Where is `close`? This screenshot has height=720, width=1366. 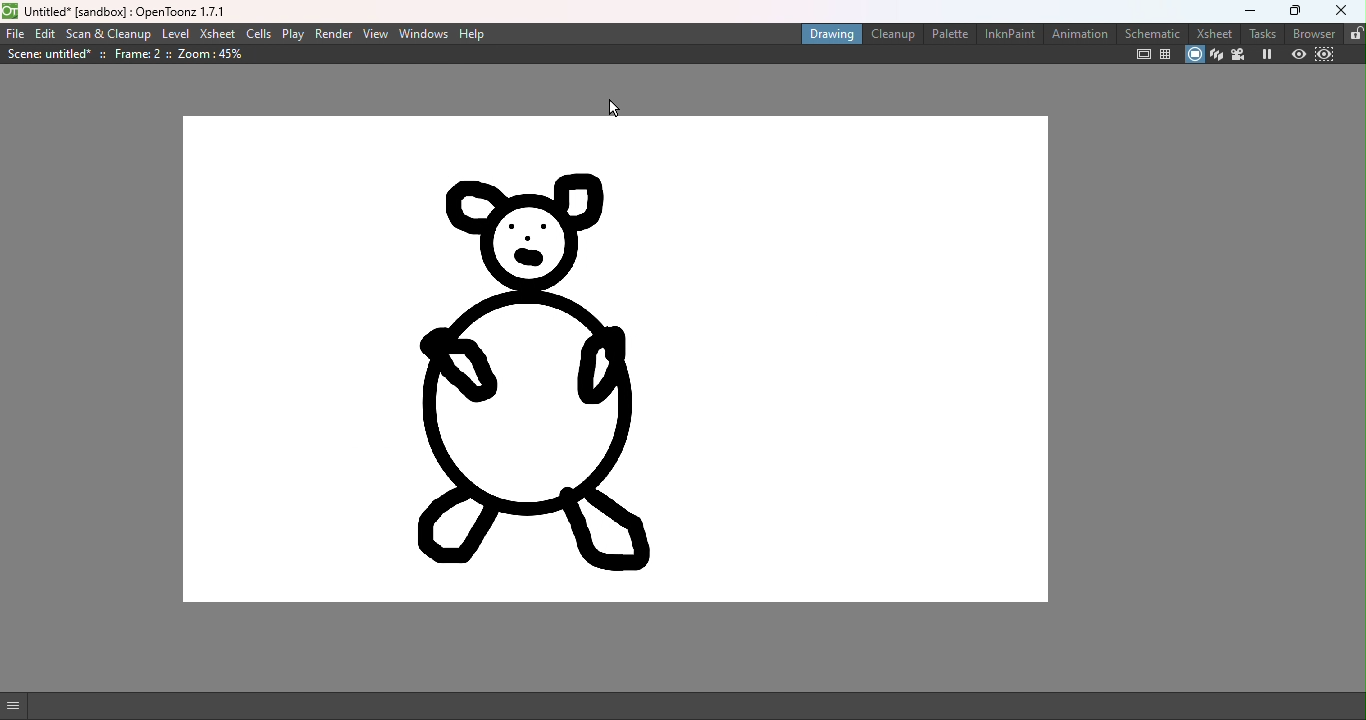
close is located at coordinates (1341, 11).